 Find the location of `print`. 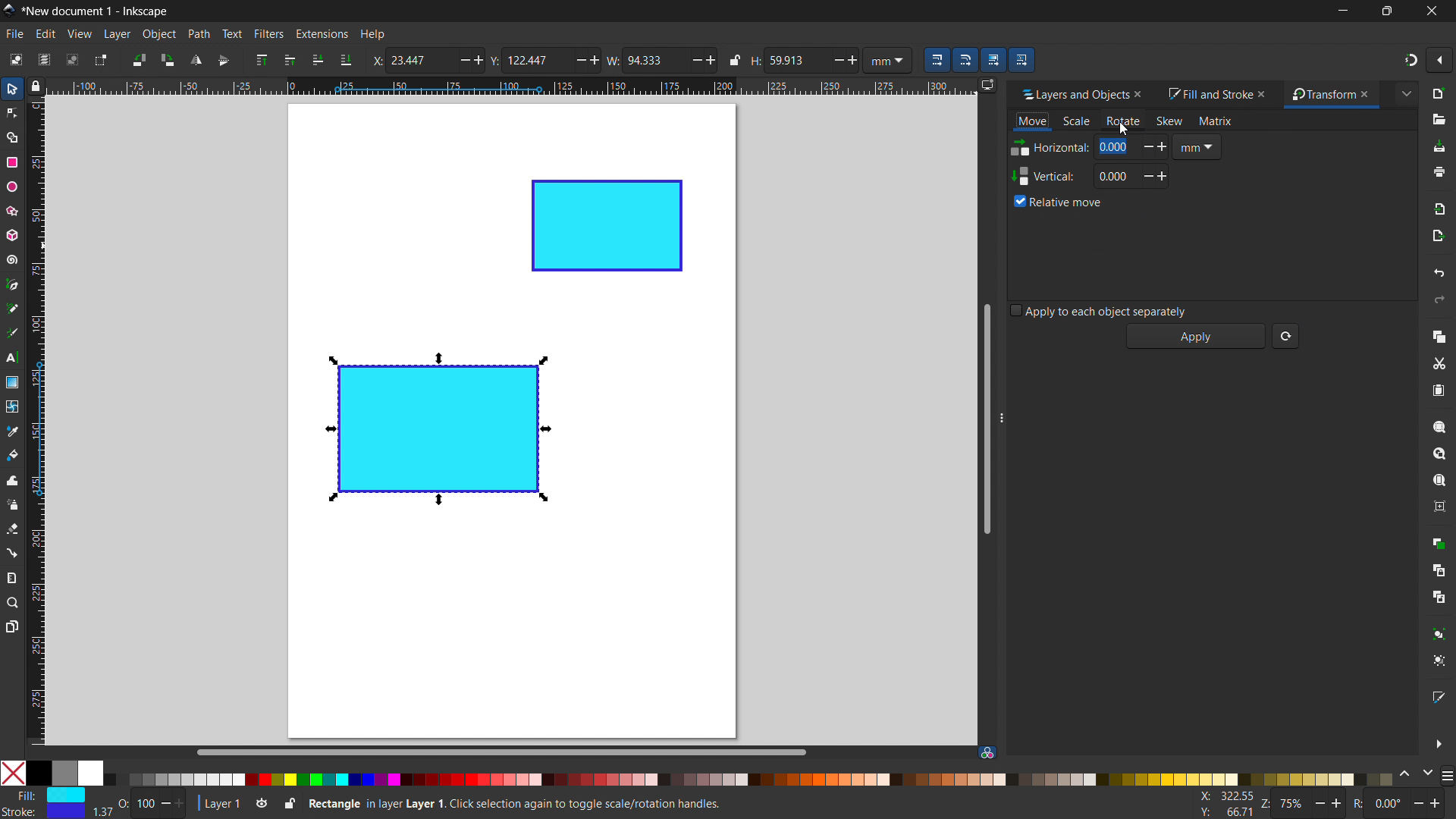

print is located at coordinates (1440, 172).